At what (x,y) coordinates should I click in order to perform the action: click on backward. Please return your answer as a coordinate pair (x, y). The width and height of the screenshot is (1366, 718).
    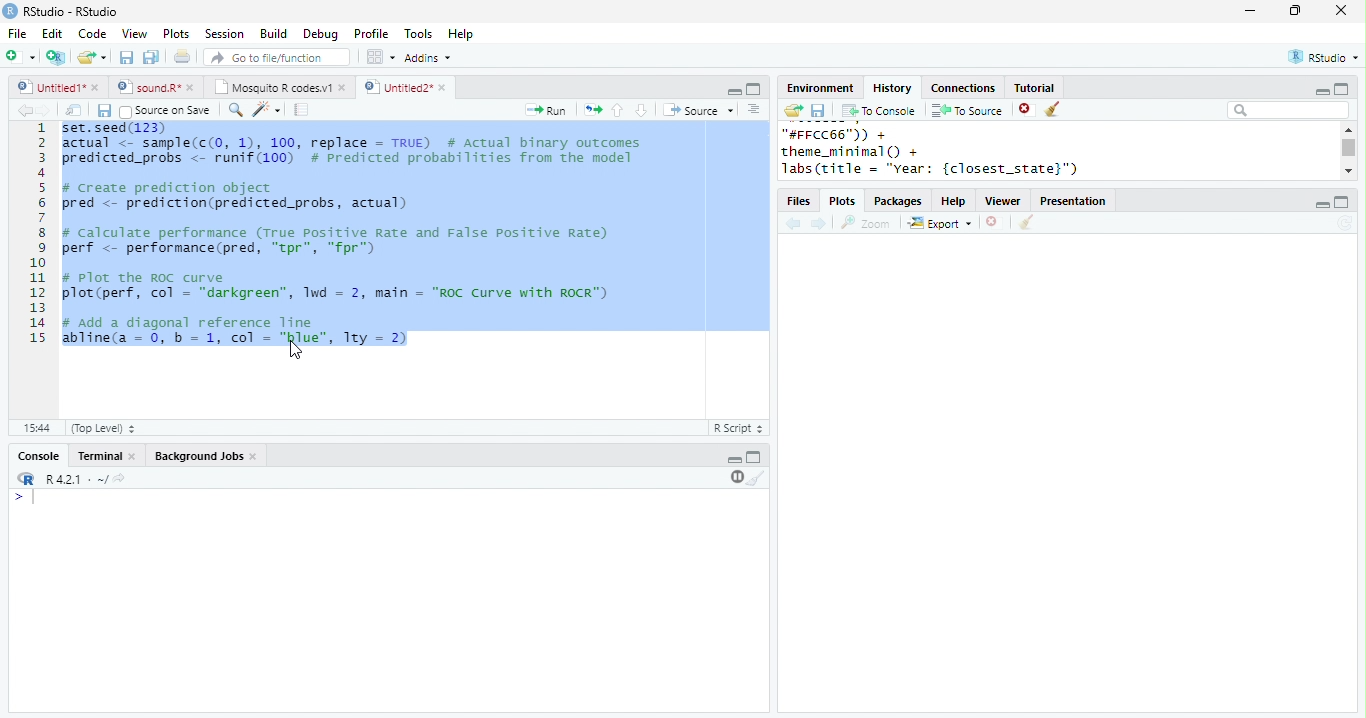
    Looking at the image, I should click on (24, 110).